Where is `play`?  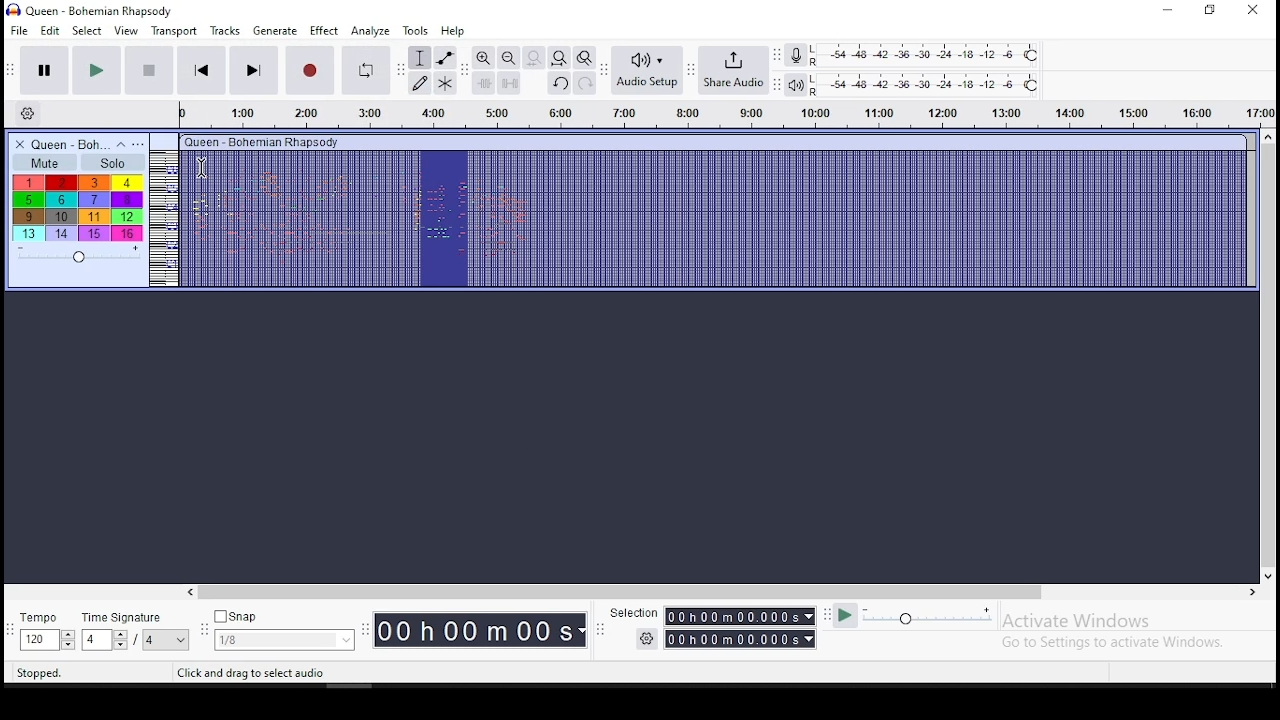
play is located at coordinates (95, 70).